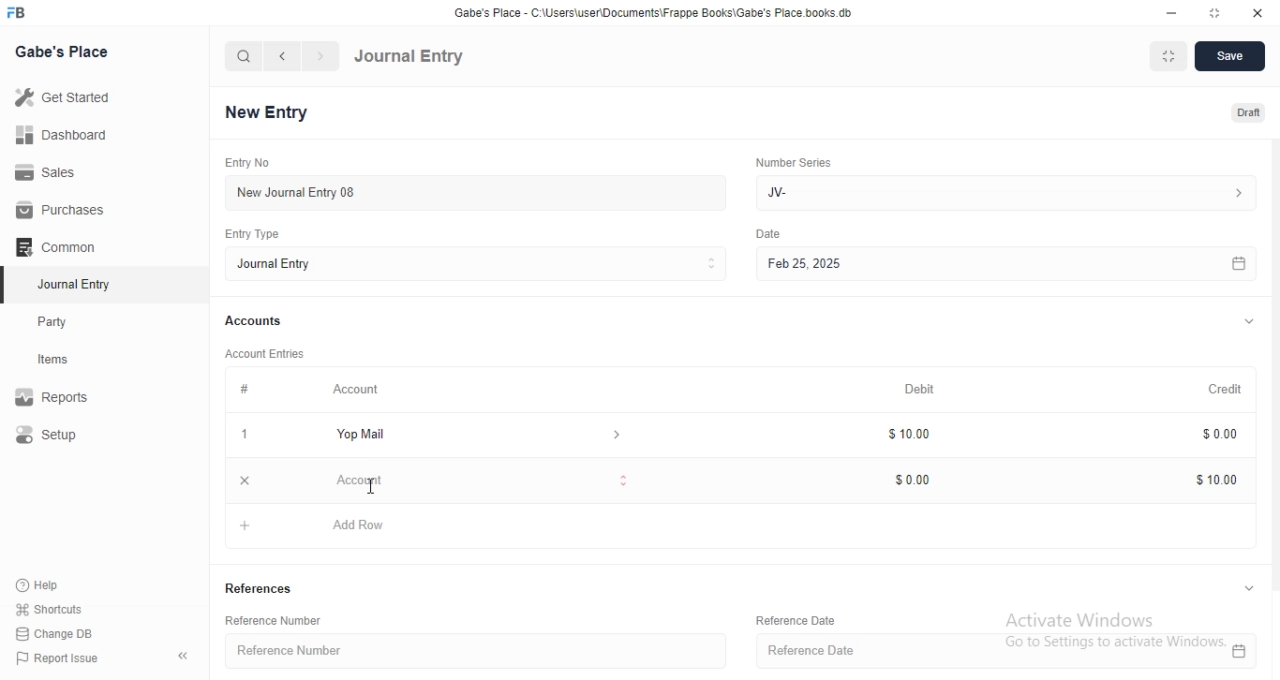 This screenshot has width=1280, height=680. I want to click on Common, so click(60, 247).